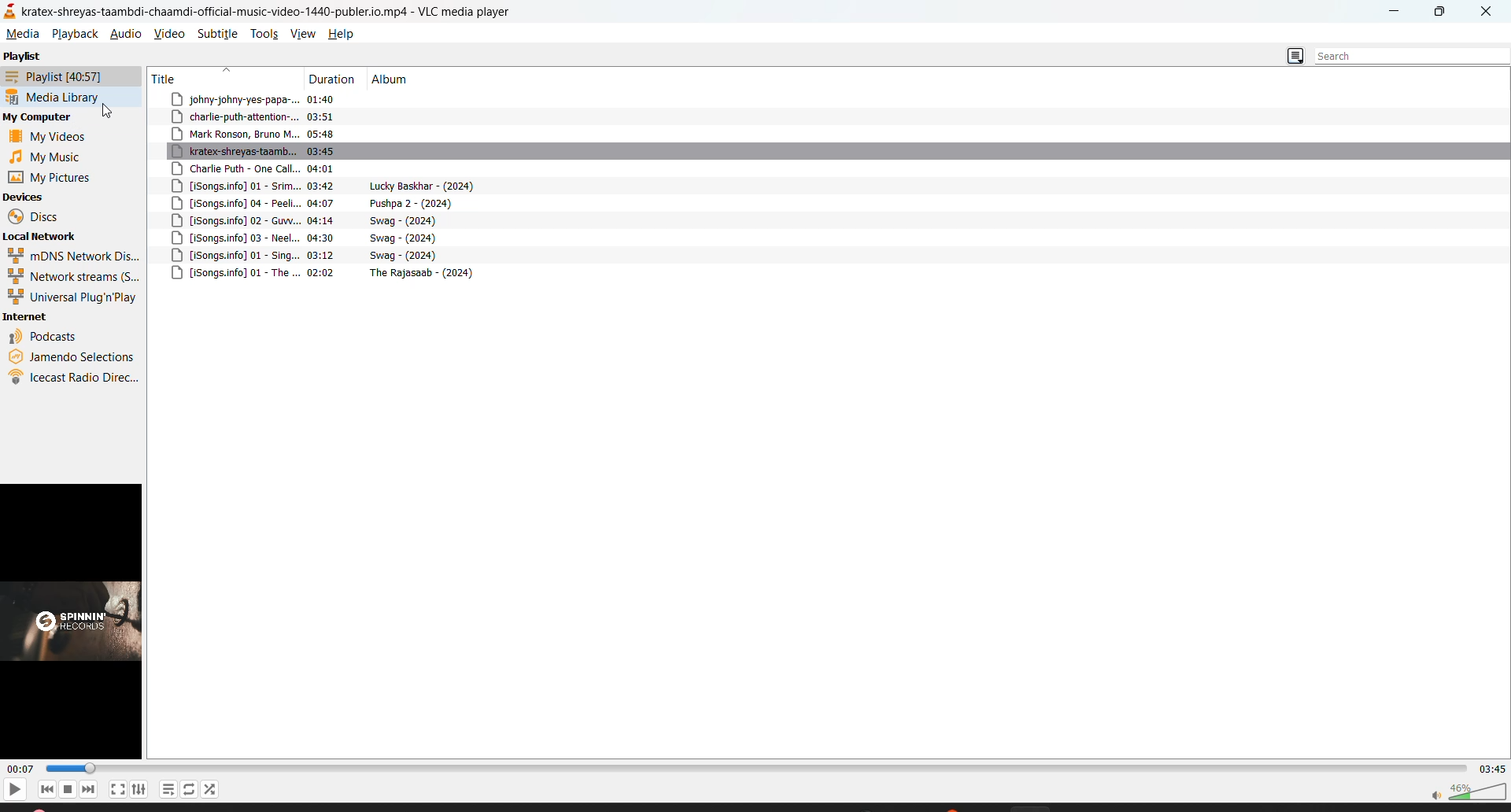 The height and width of the screenshot is (812, 1511). What do you see at coordinates (127, 37) in the screenshot?
I see `audio` at bounding box center [127, 37].